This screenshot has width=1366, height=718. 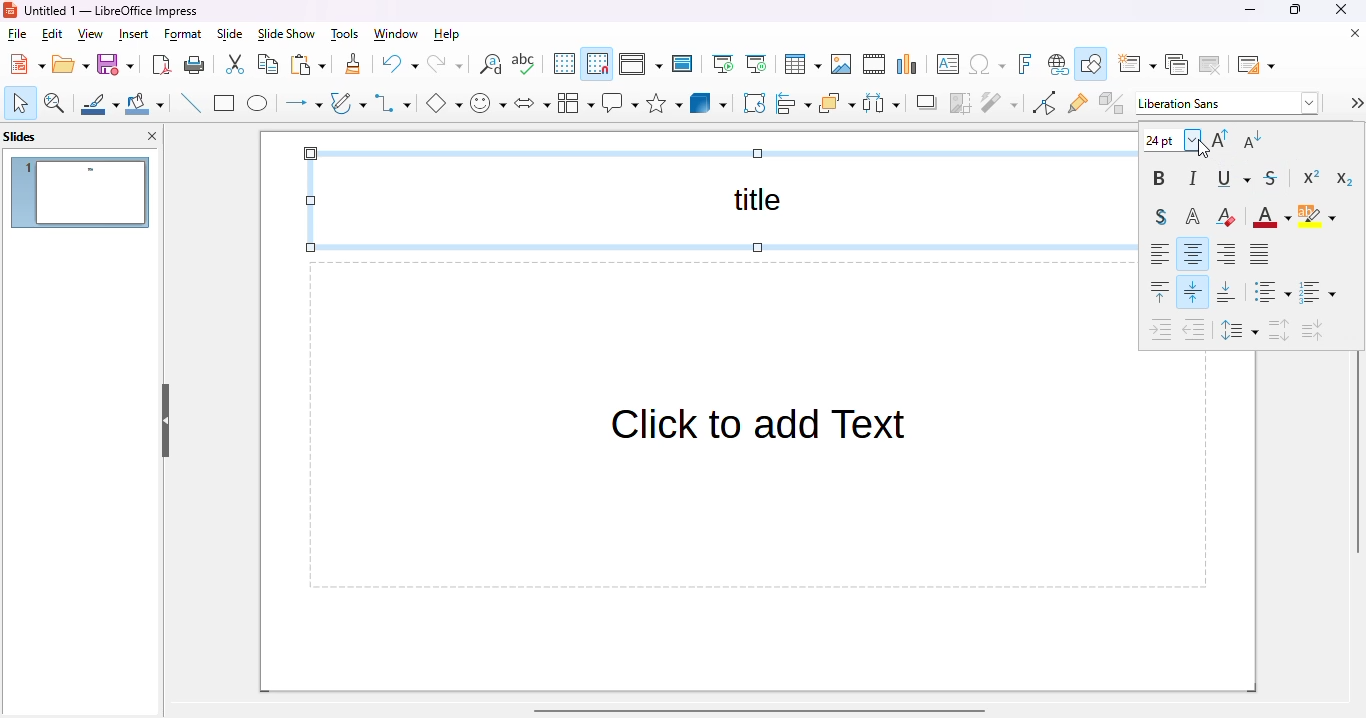 I want to click on view, so click(x=90, y=35).